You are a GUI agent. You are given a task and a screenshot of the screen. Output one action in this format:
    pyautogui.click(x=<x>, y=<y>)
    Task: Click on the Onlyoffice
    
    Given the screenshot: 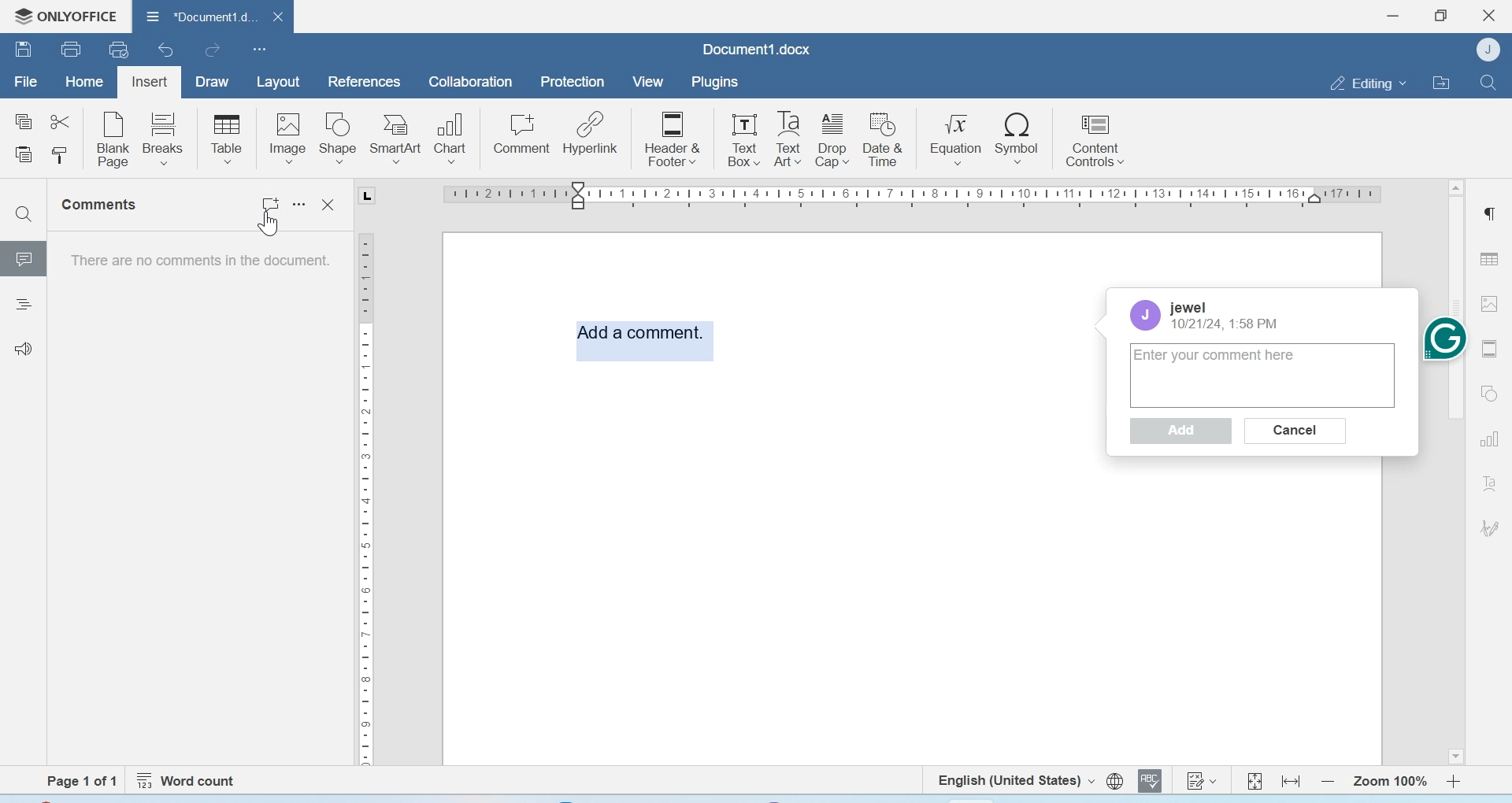 What is the action you would take?
    pyautogui.click(x=61, y=17)
    